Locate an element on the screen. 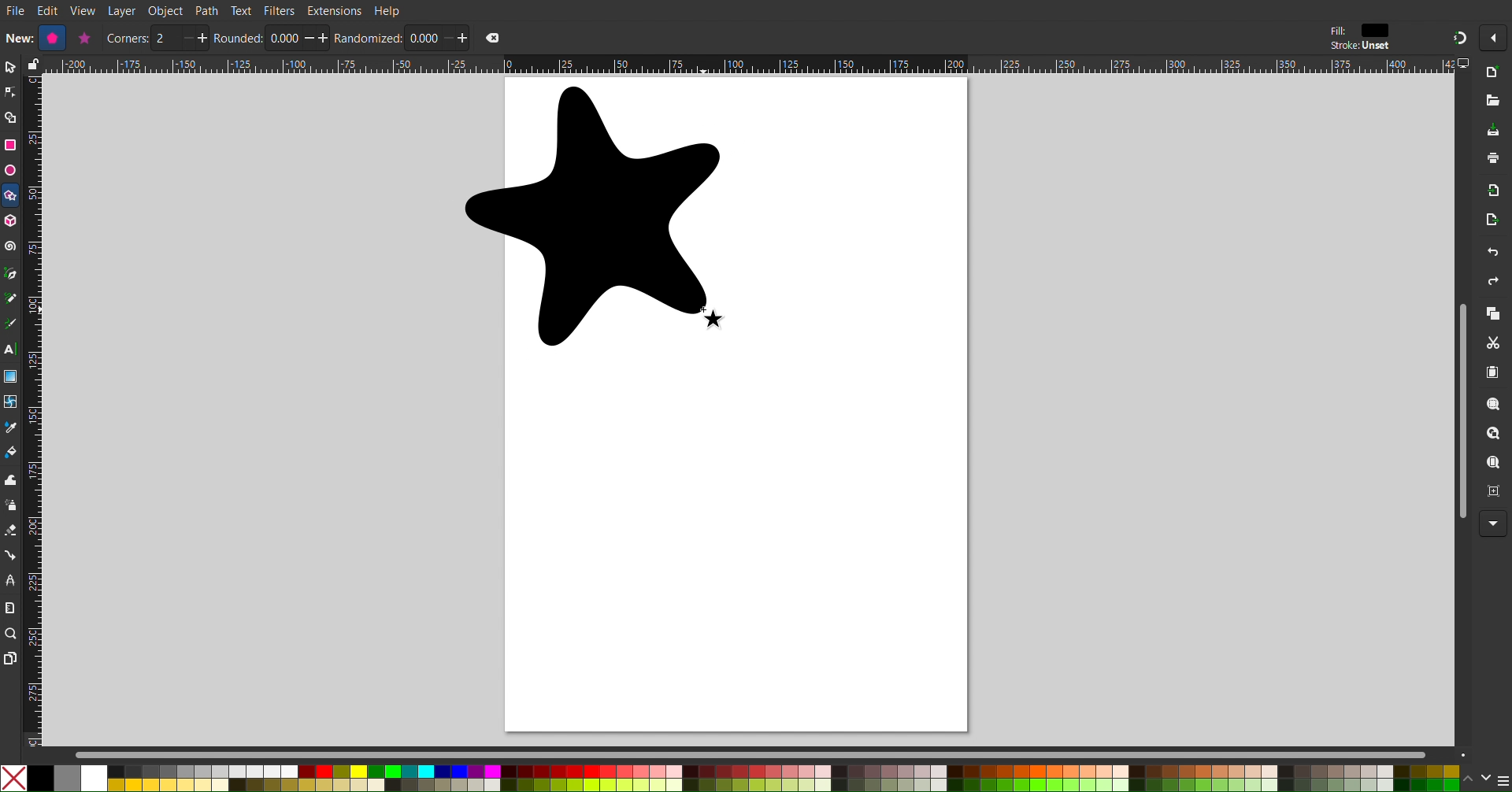 The width and height of the screenshot is (1512, 792). Open Export is located at coordinates (1493, 222).